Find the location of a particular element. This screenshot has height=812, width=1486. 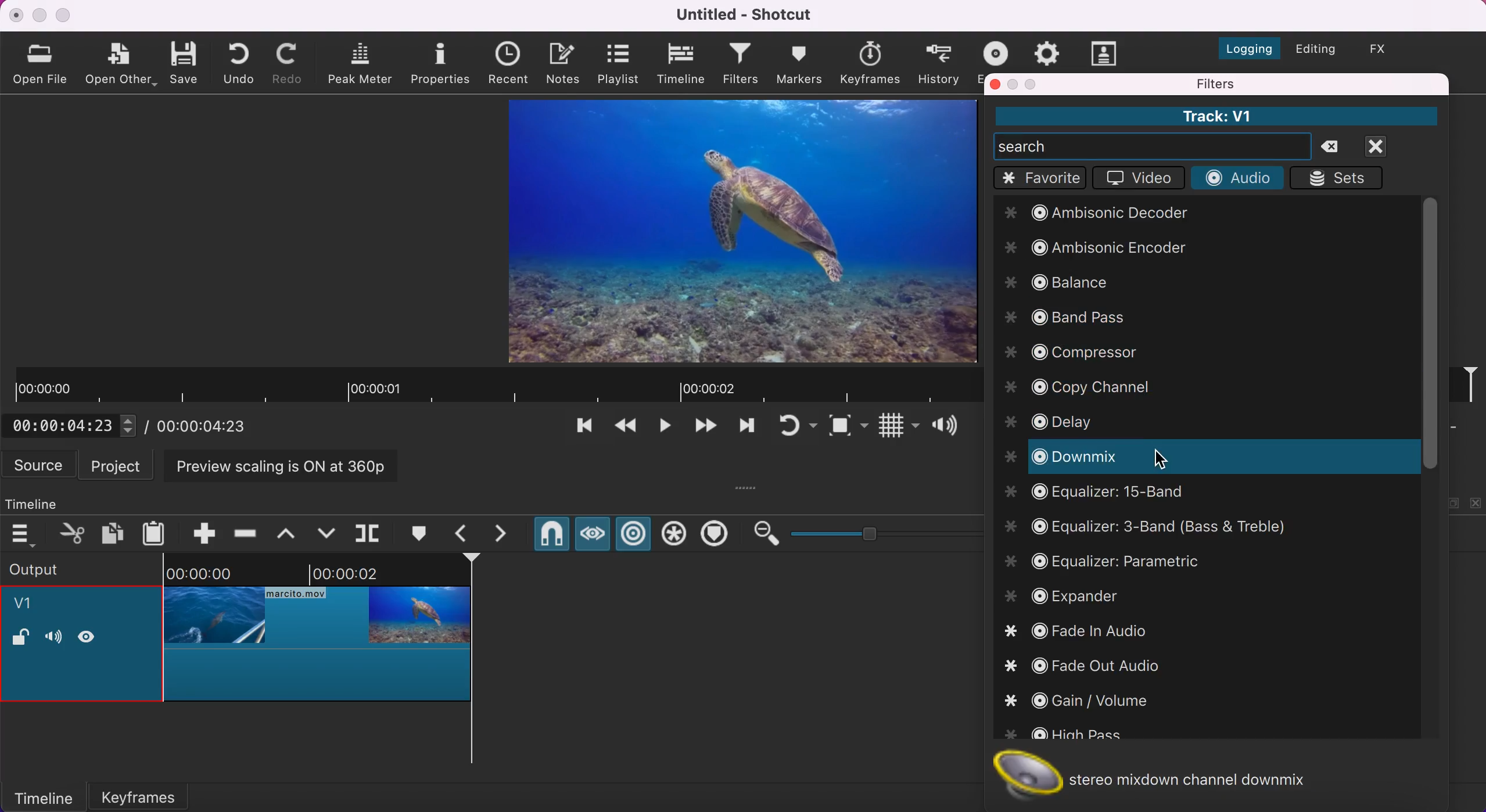

volume is located at coordinates (53, 638).